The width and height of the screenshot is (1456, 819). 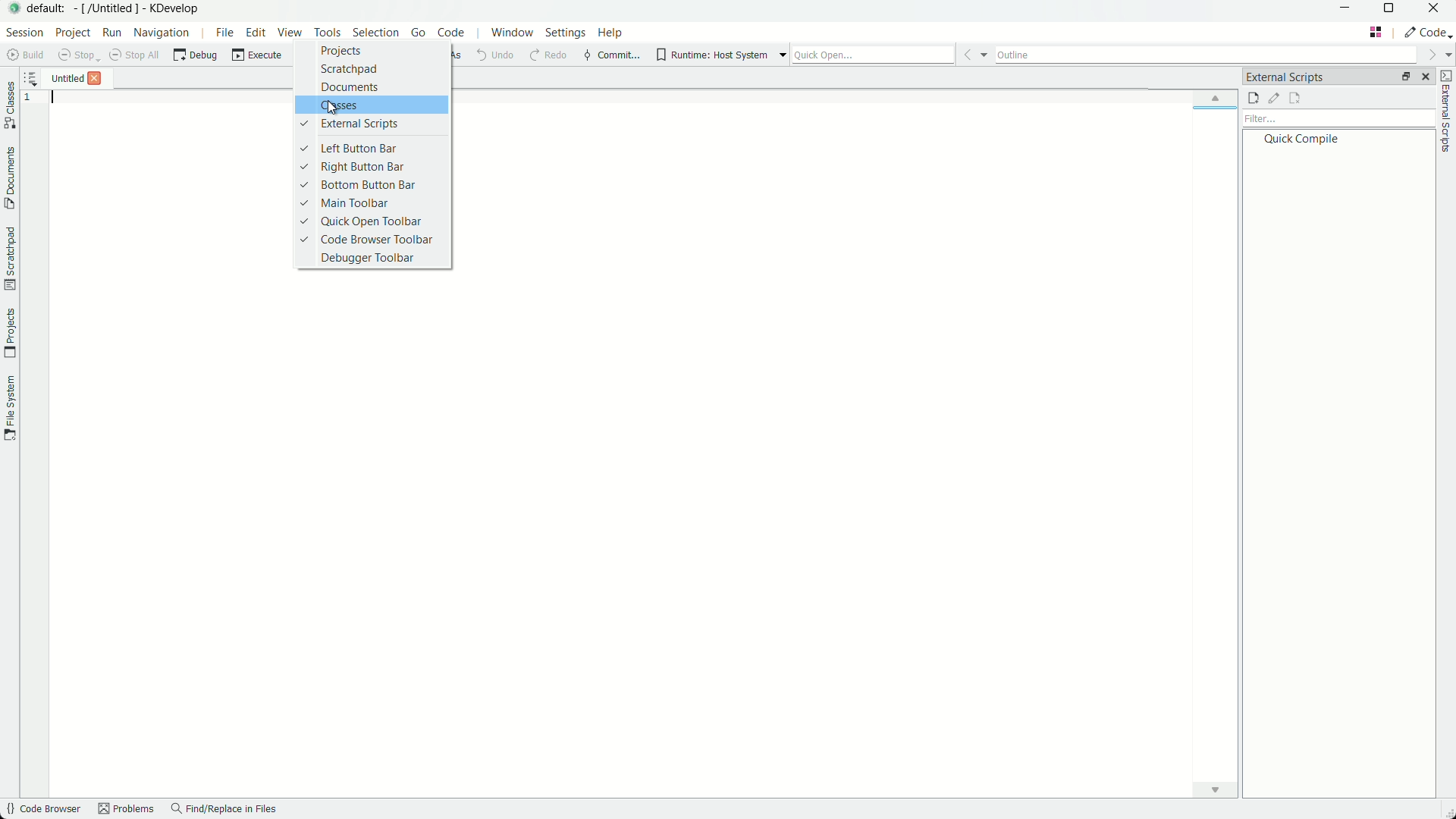 I want to click on Problems, so click(x=128, y=811).